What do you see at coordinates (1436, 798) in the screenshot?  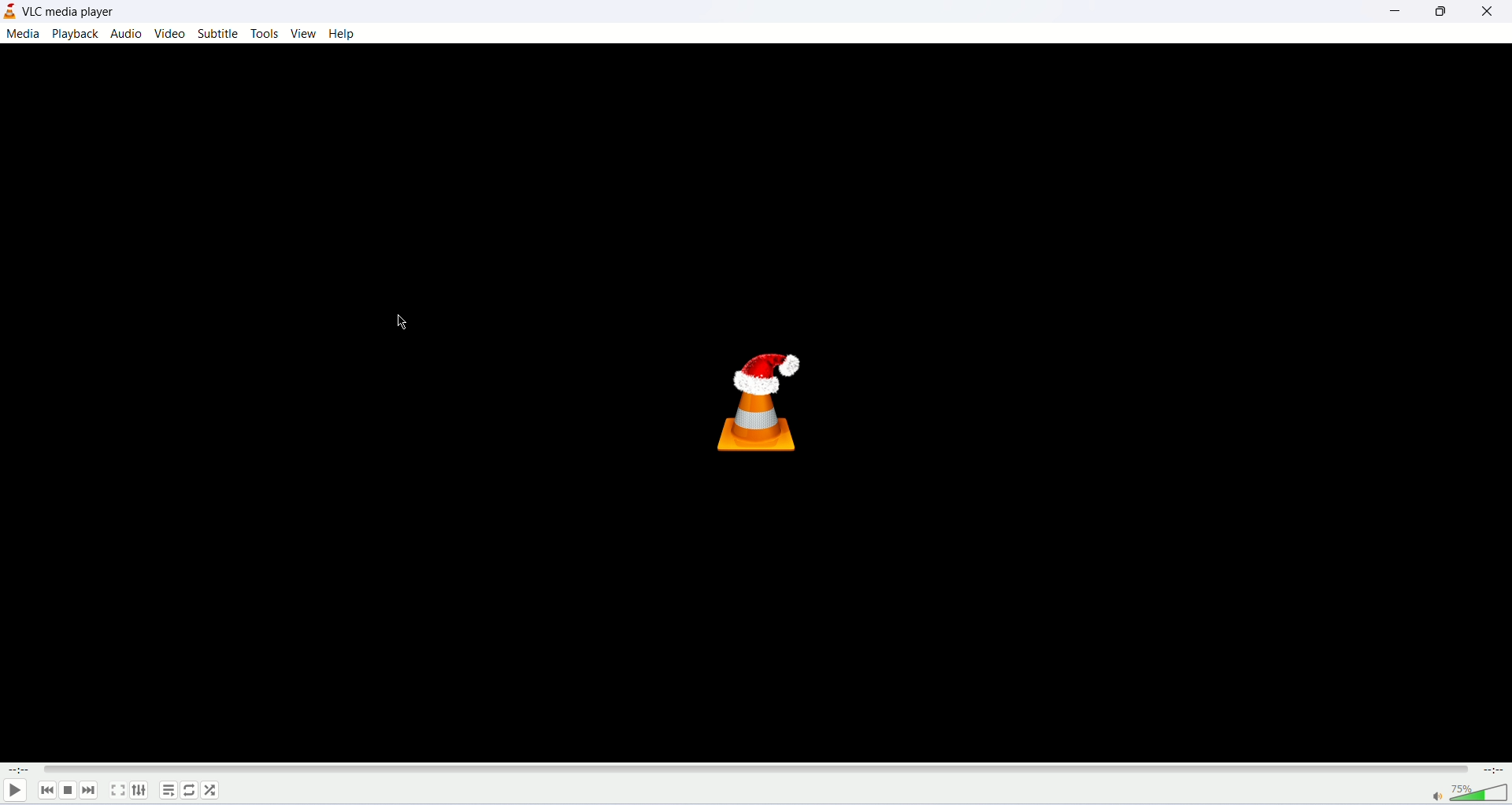 I see `mute` at bounding box center [1436, 798].